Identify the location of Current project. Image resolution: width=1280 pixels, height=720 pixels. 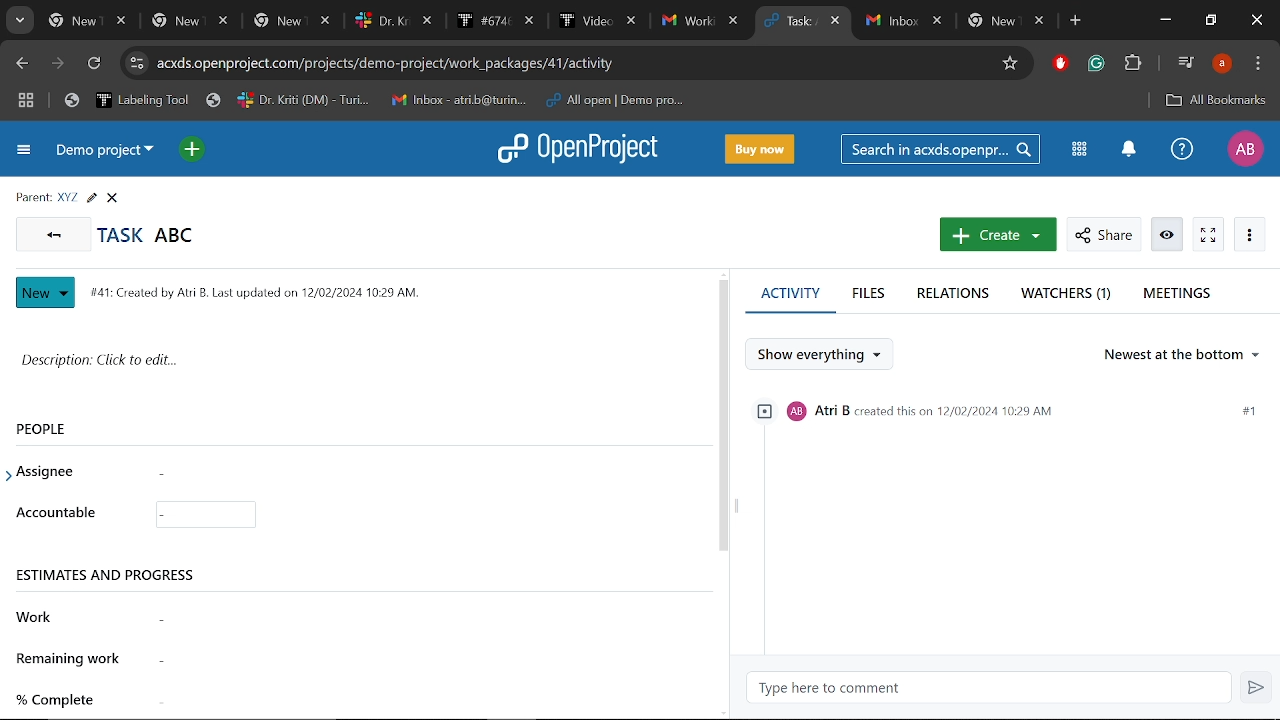
(105, 152).